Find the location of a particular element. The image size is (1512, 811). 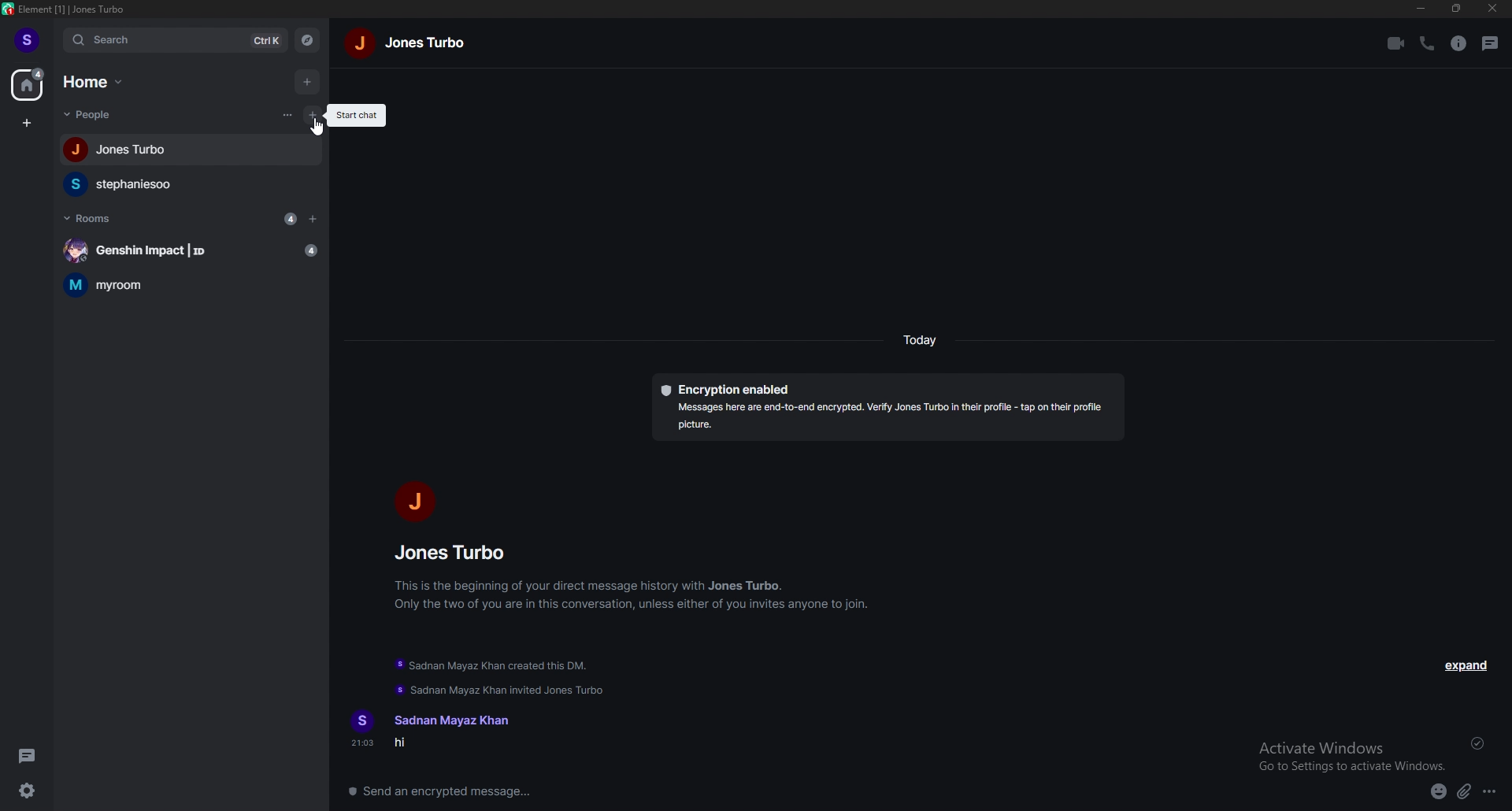

quick settings is located at coordinates (30, 790).